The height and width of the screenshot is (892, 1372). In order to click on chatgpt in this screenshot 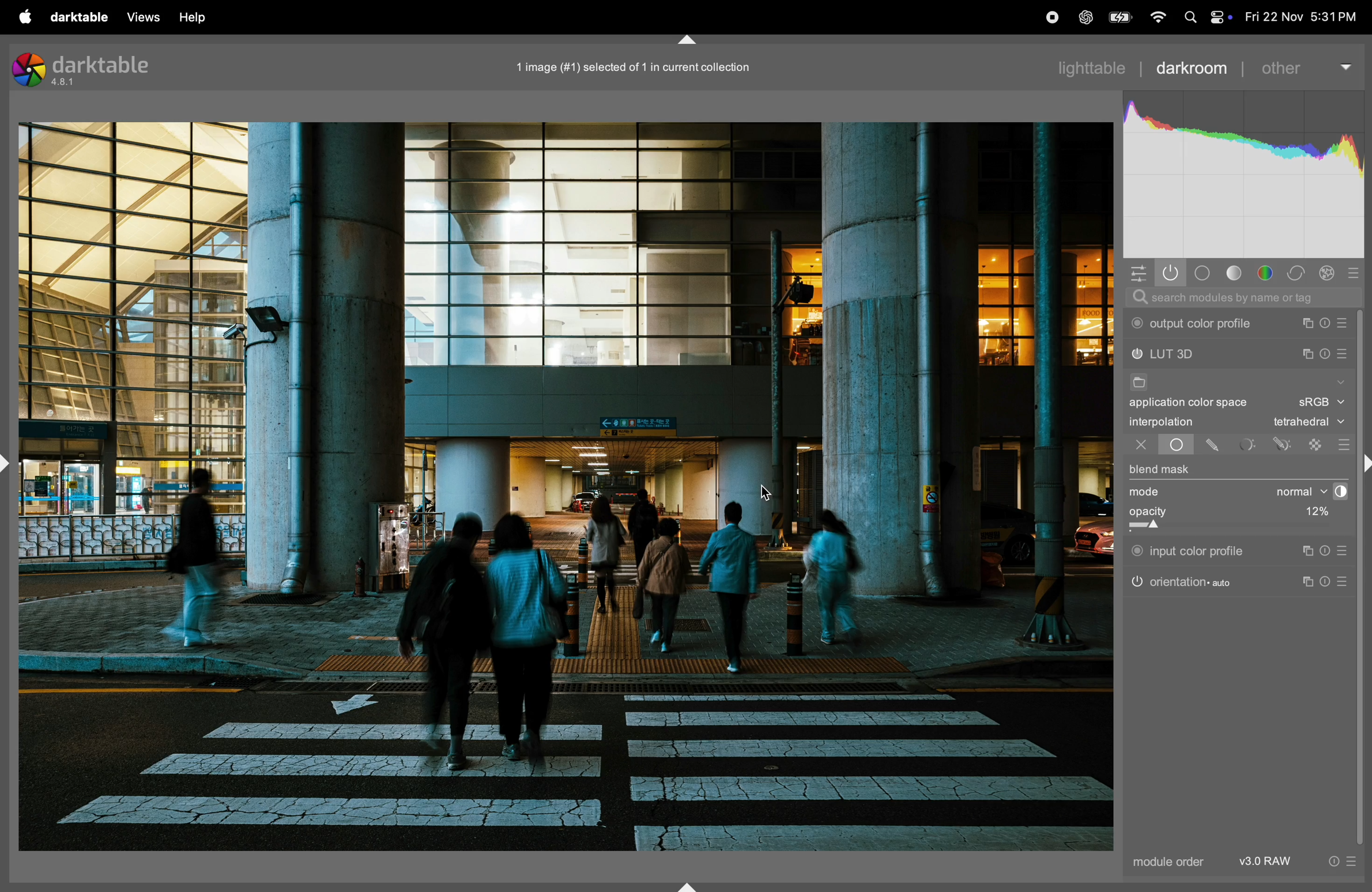, I will do `click(1085, 18)`.